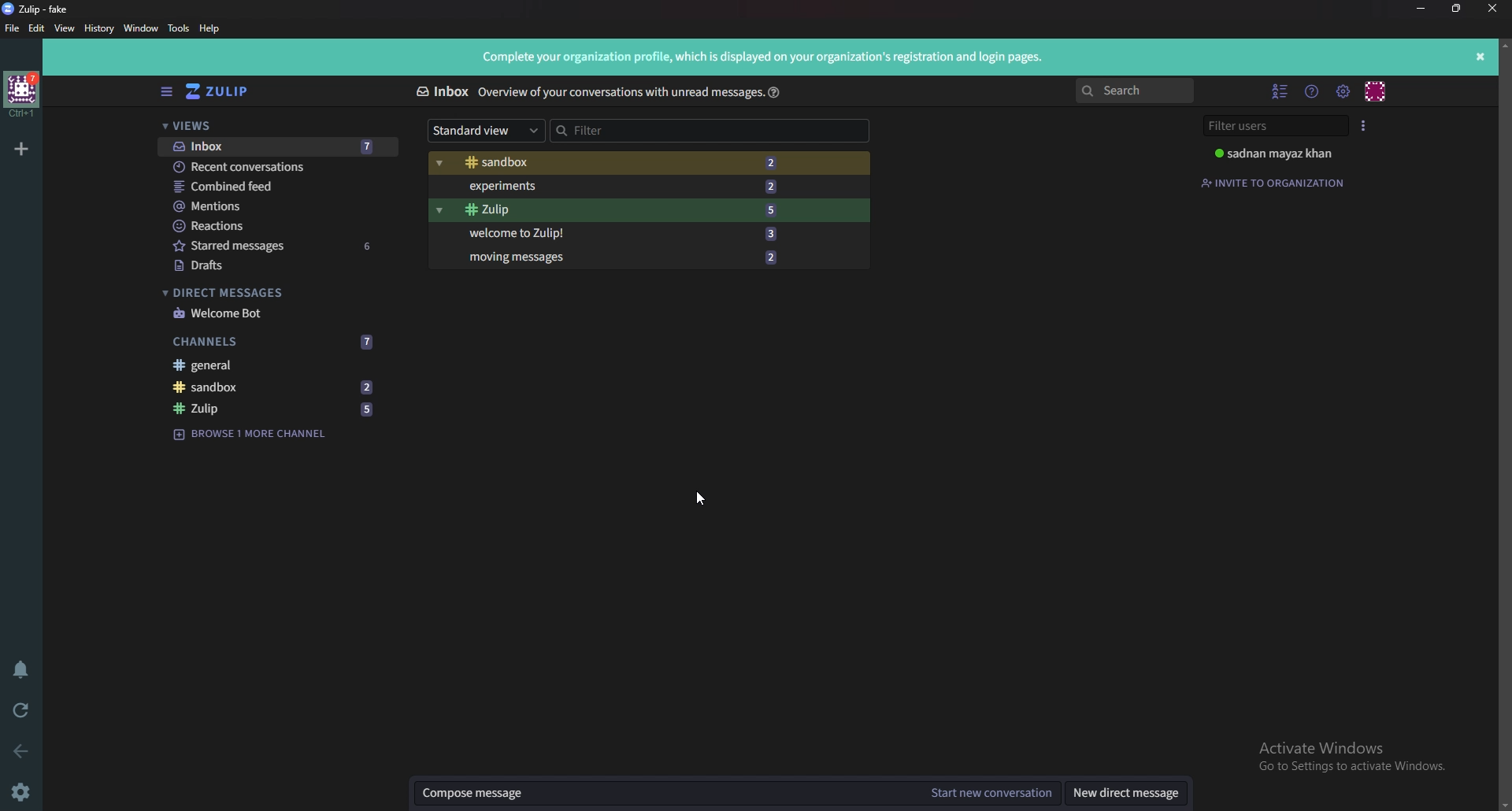  Describe the element at coordinates (993, 790) in the screenshot. I see `Start new conversation` at that location.